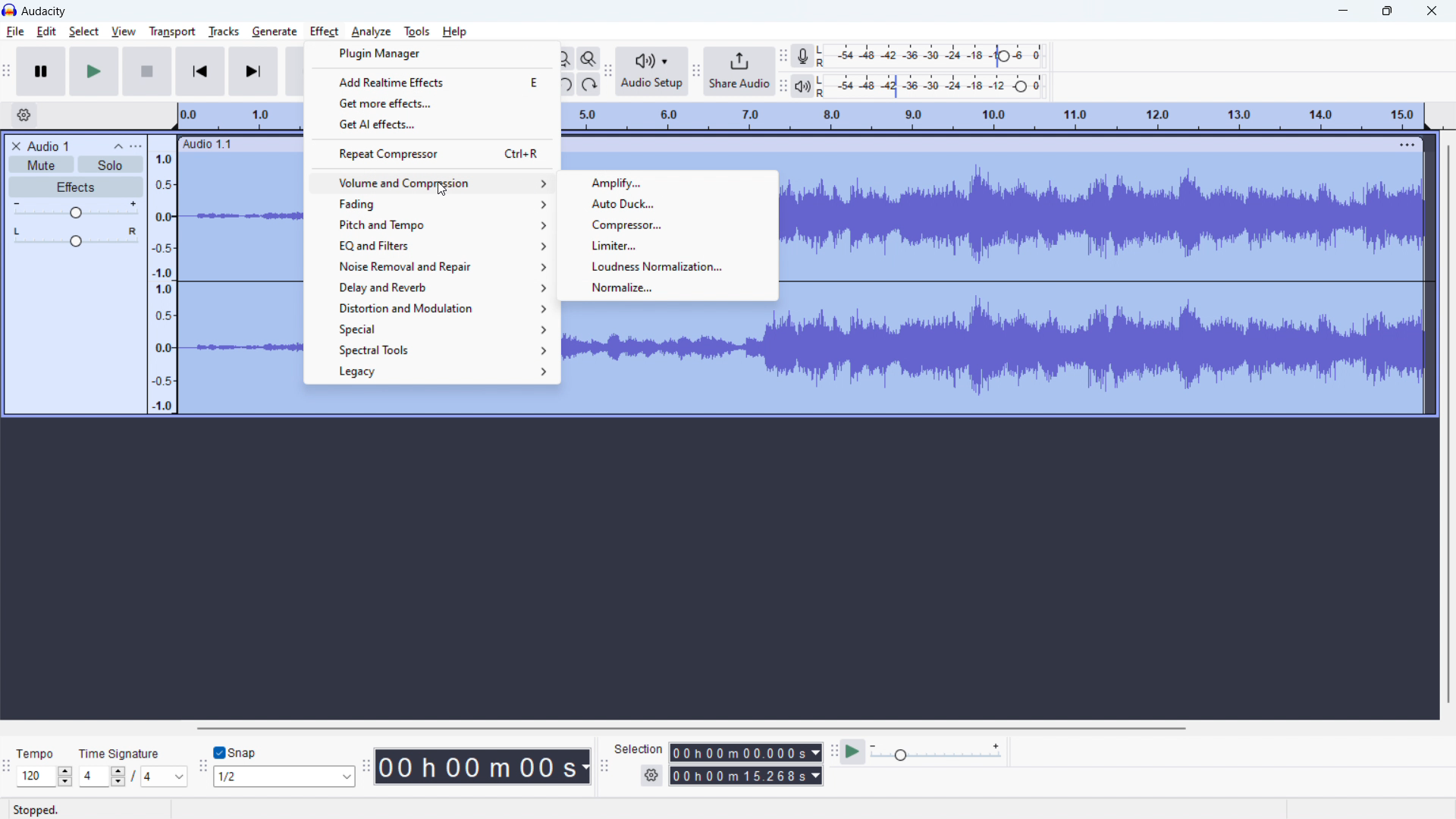 Image resolution: width=1456 pixels, height=819 pixels. I want to click on playback meter toolbar, so click(783, 87).